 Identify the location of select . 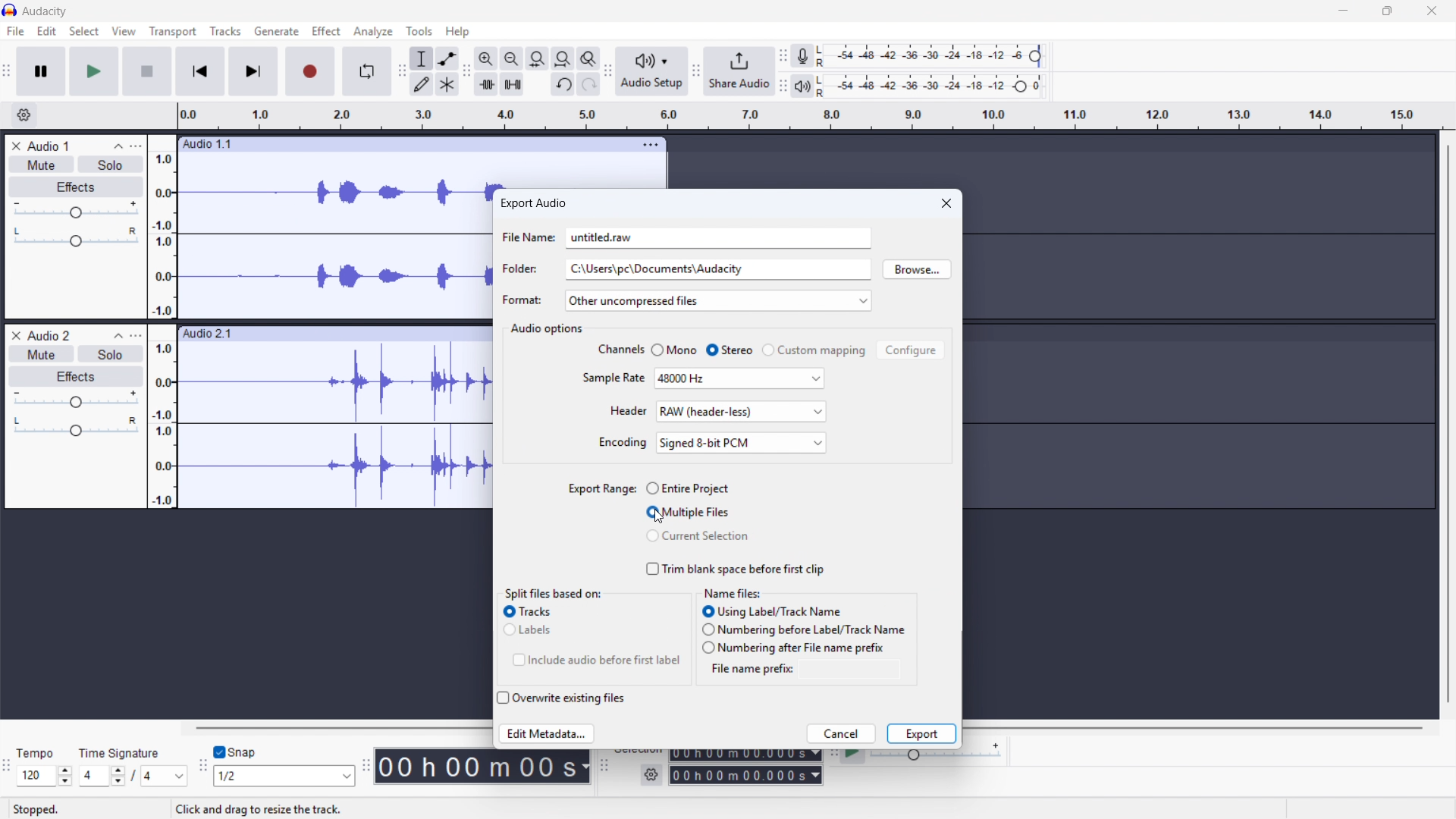
(84, 31).